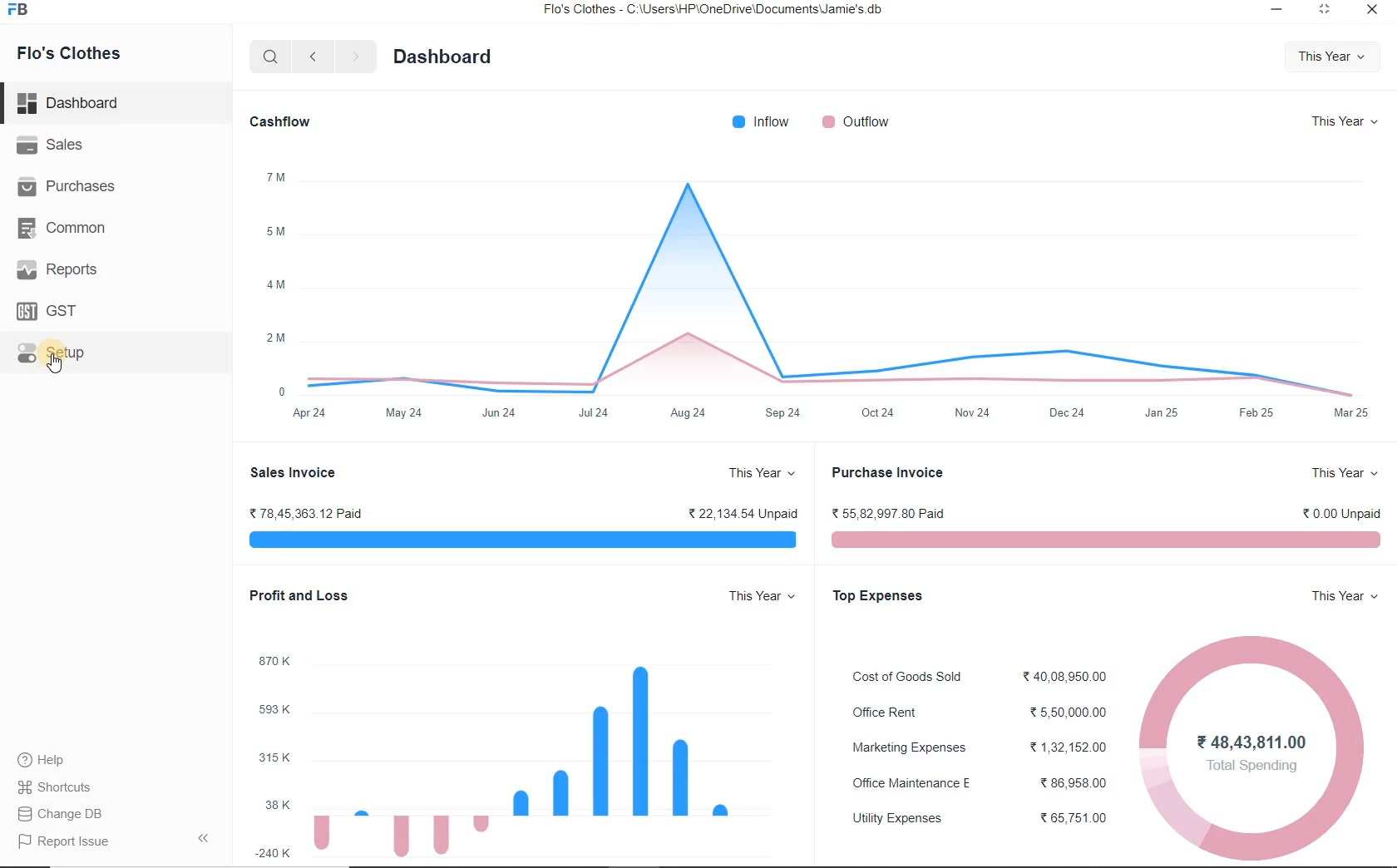 The image size is (1397, 868). I want to click on 5,50,000.00, so click(1069, 711).